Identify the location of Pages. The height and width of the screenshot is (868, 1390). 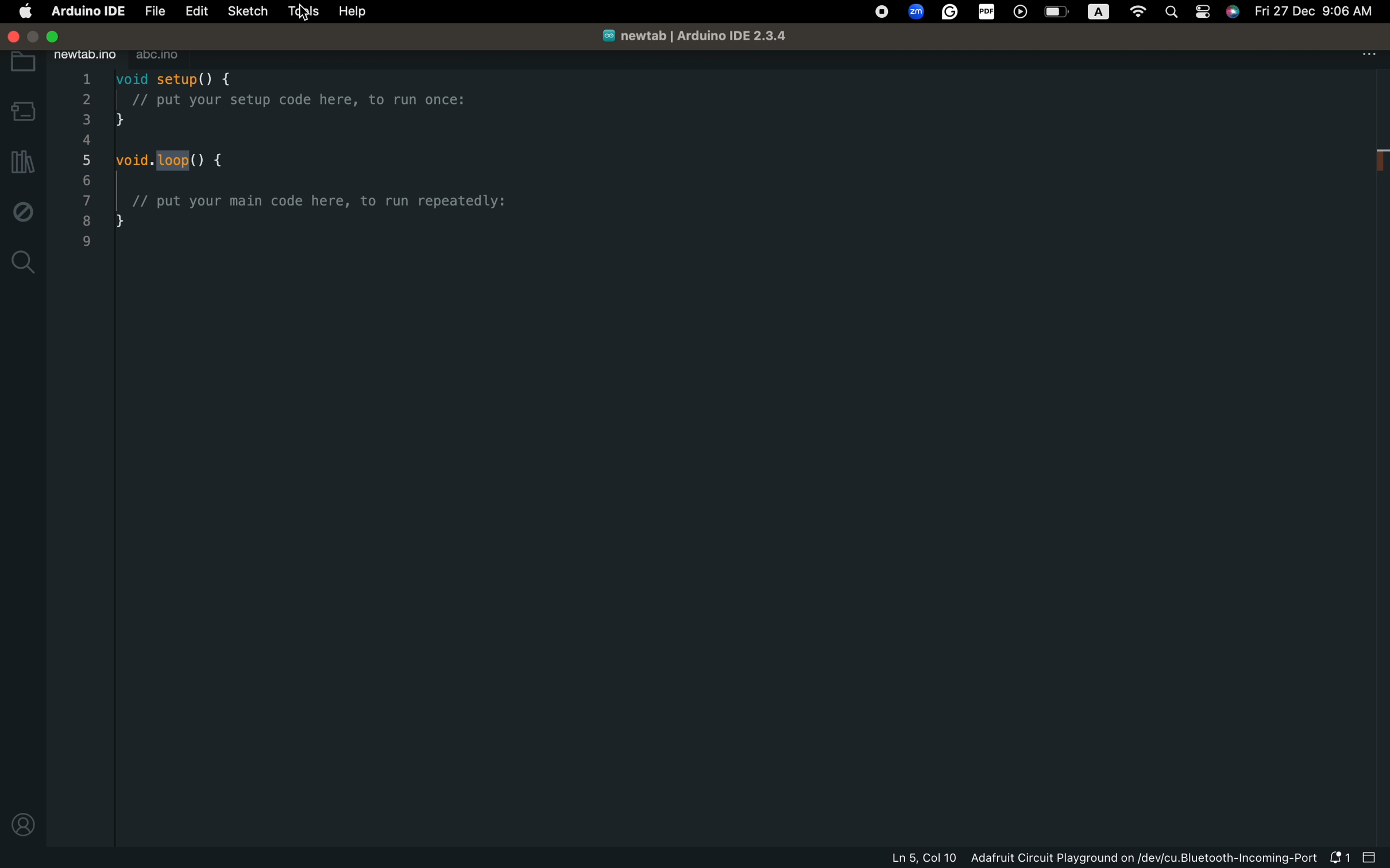
(1202, 13).